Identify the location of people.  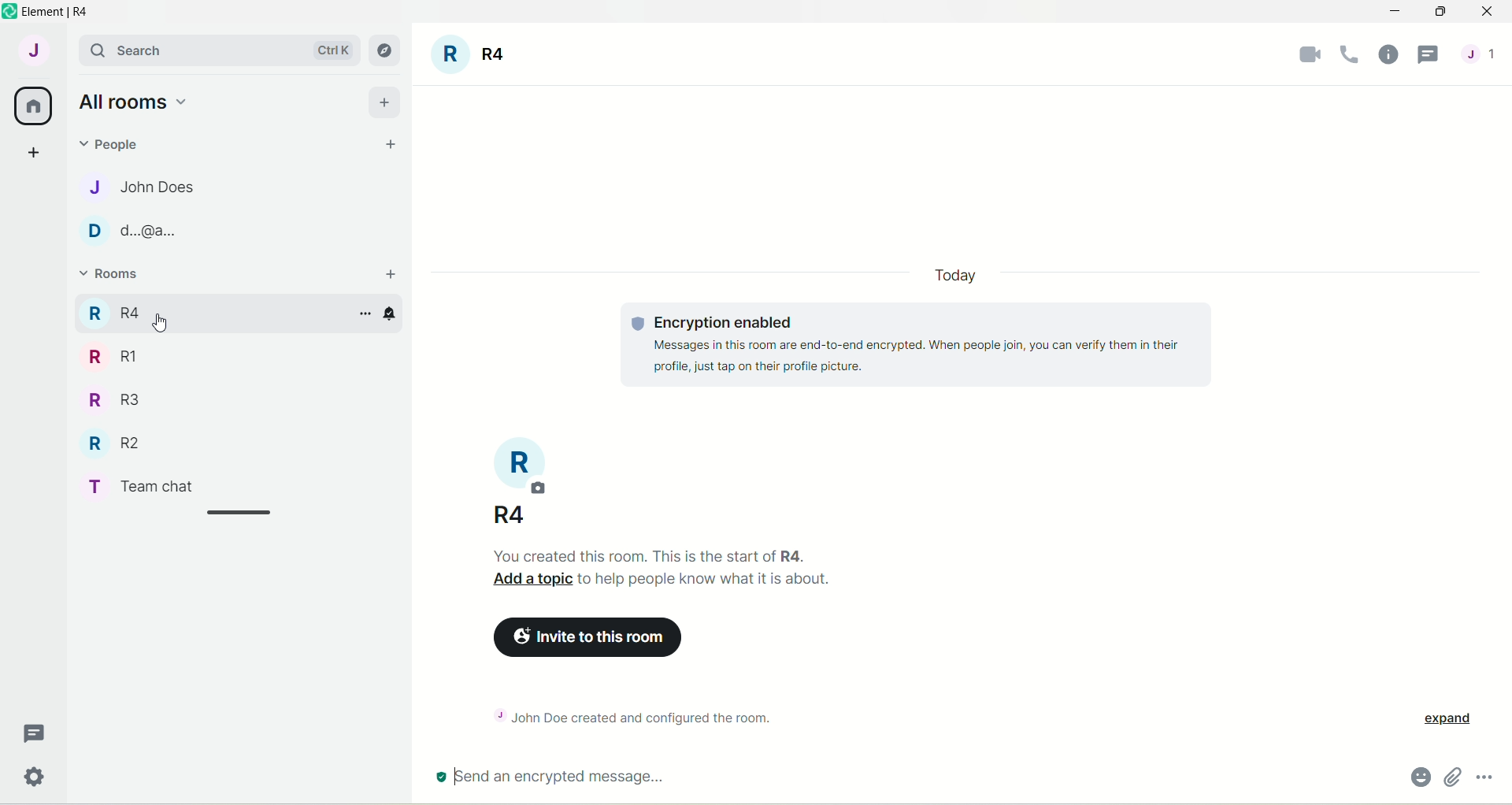
(115, 143).